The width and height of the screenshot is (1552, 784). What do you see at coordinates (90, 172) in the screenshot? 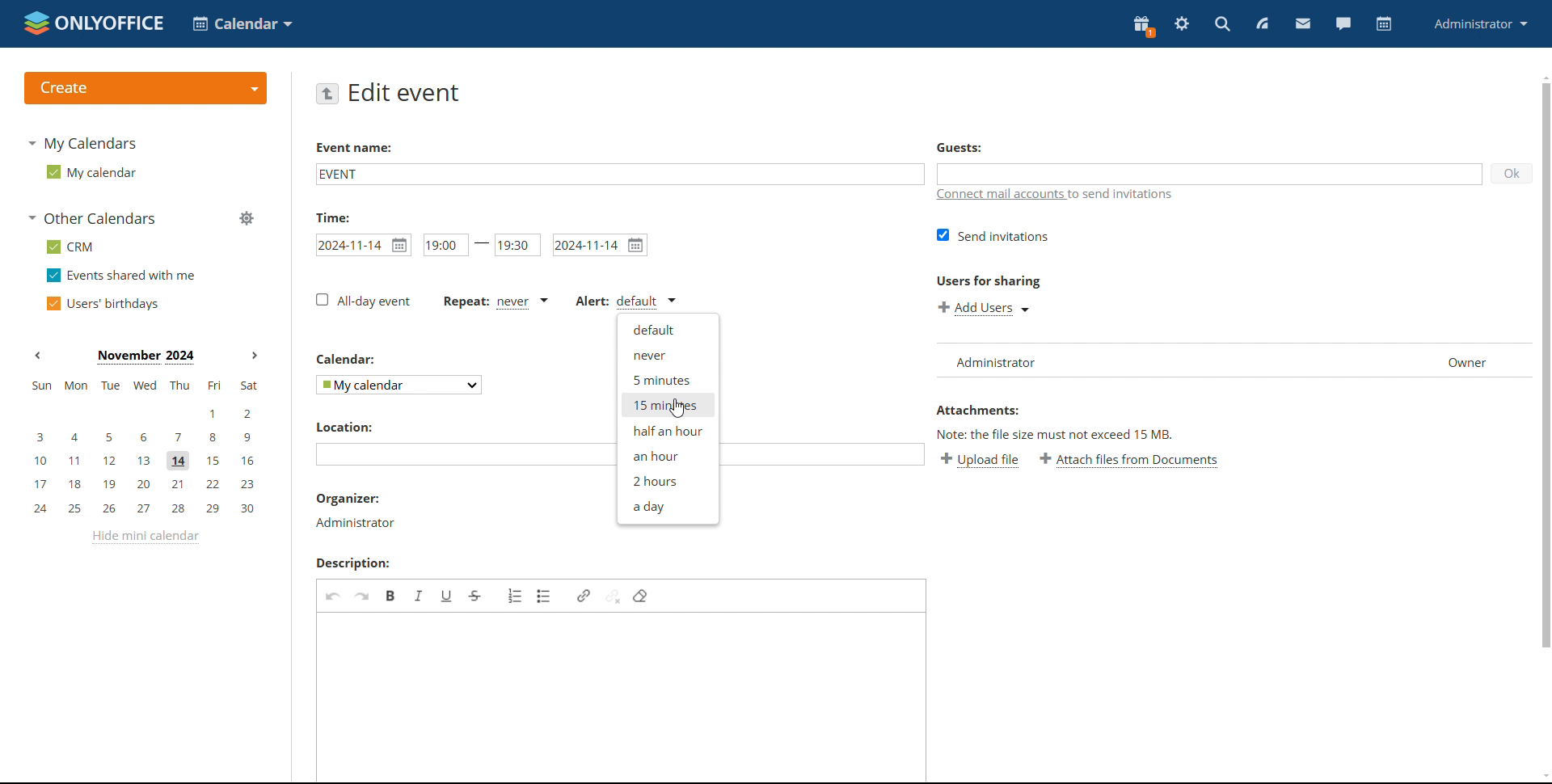
I see `my calendar` at bounding box center [90, 172].